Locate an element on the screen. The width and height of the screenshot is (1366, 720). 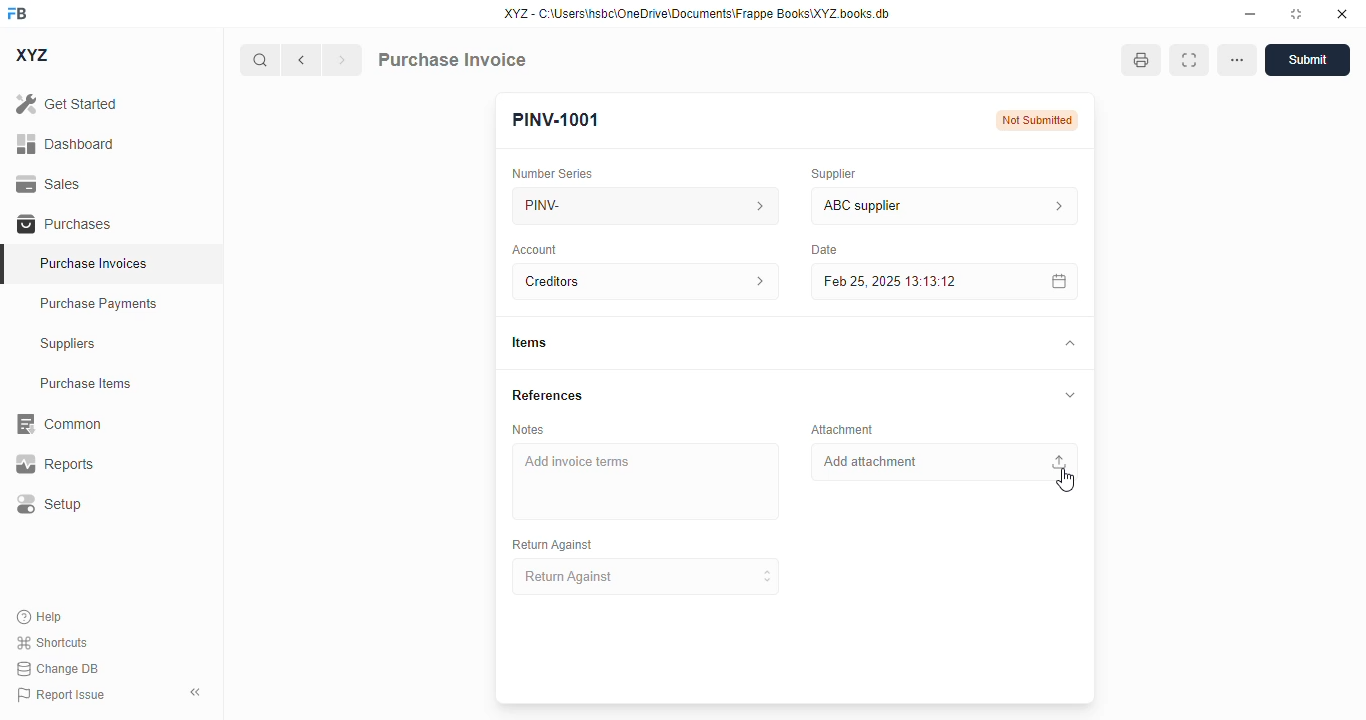
number series information is located at coordinates (754, 205).